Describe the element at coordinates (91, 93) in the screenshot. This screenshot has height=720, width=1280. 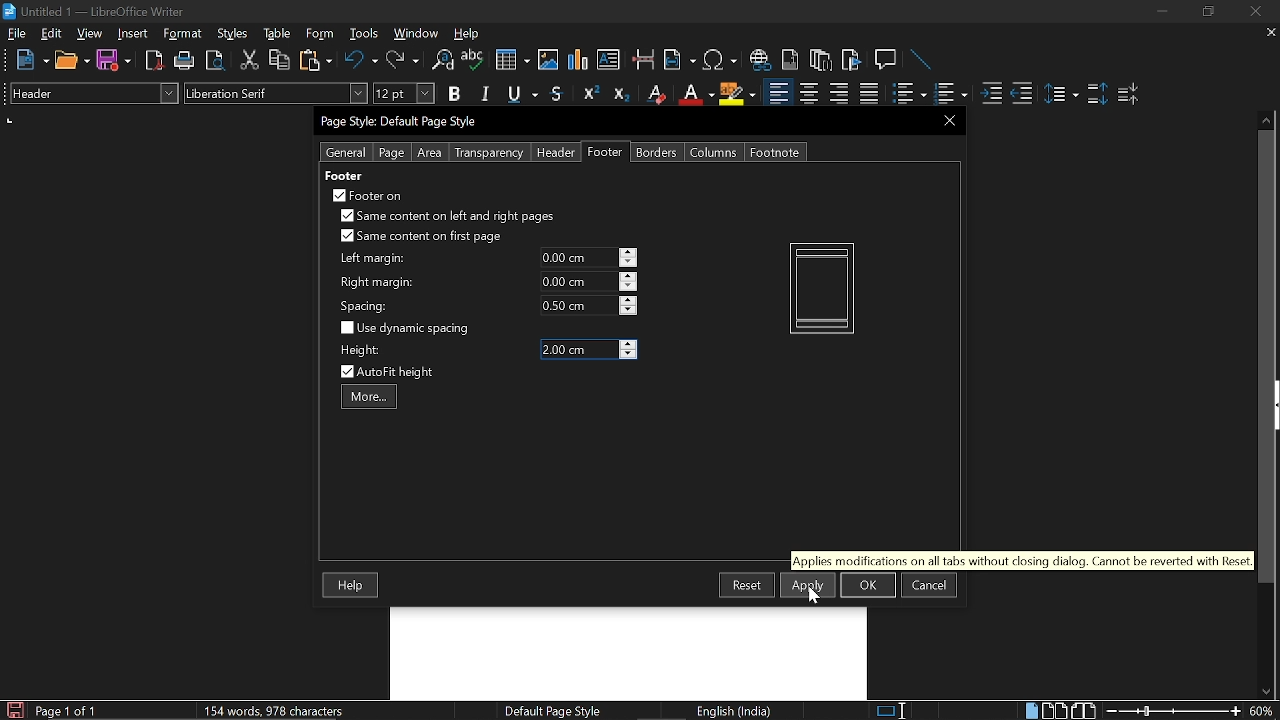
I see `Paragraph style` at that location.